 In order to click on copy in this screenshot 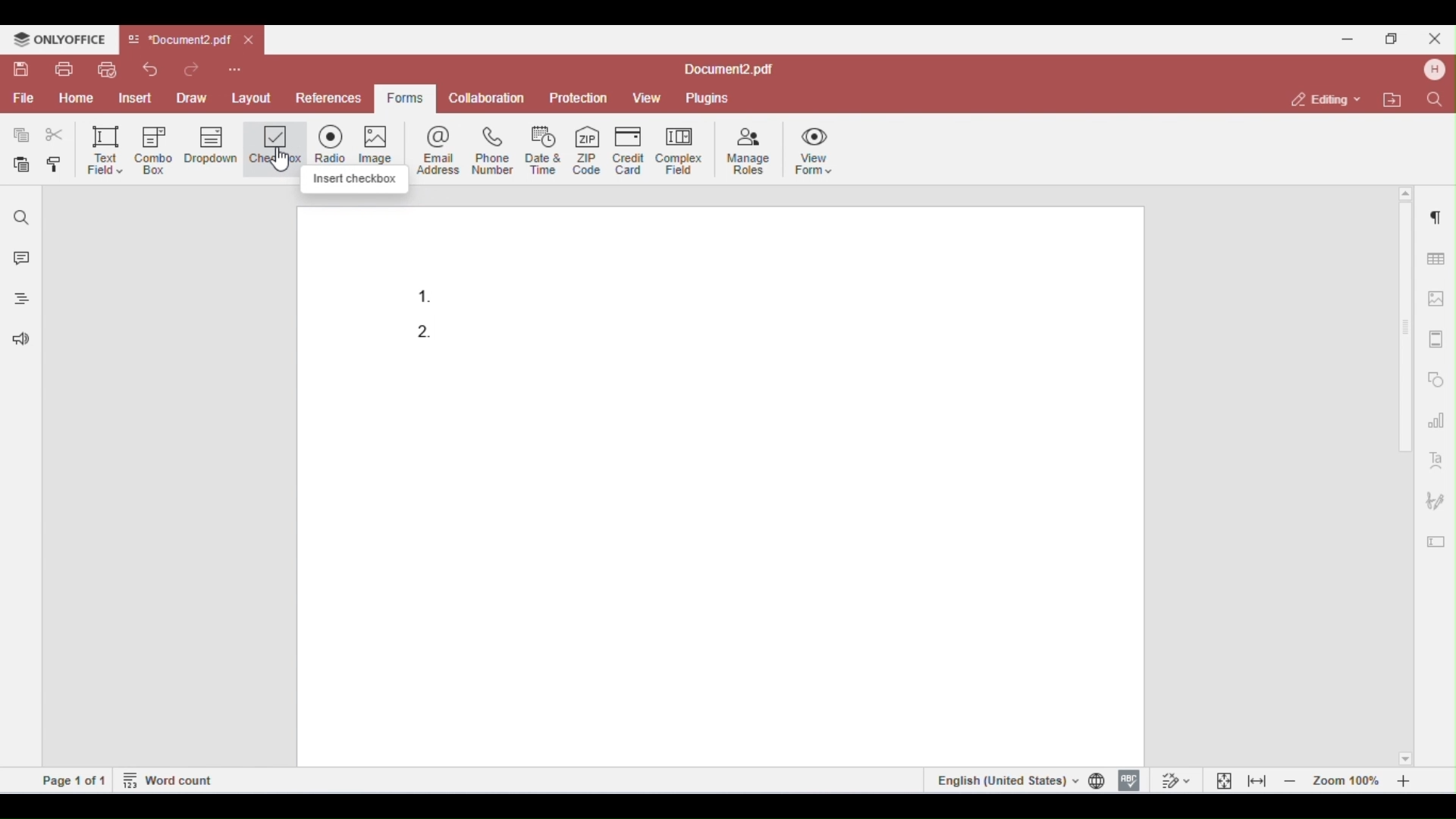, I will do `click(22, 135)`.